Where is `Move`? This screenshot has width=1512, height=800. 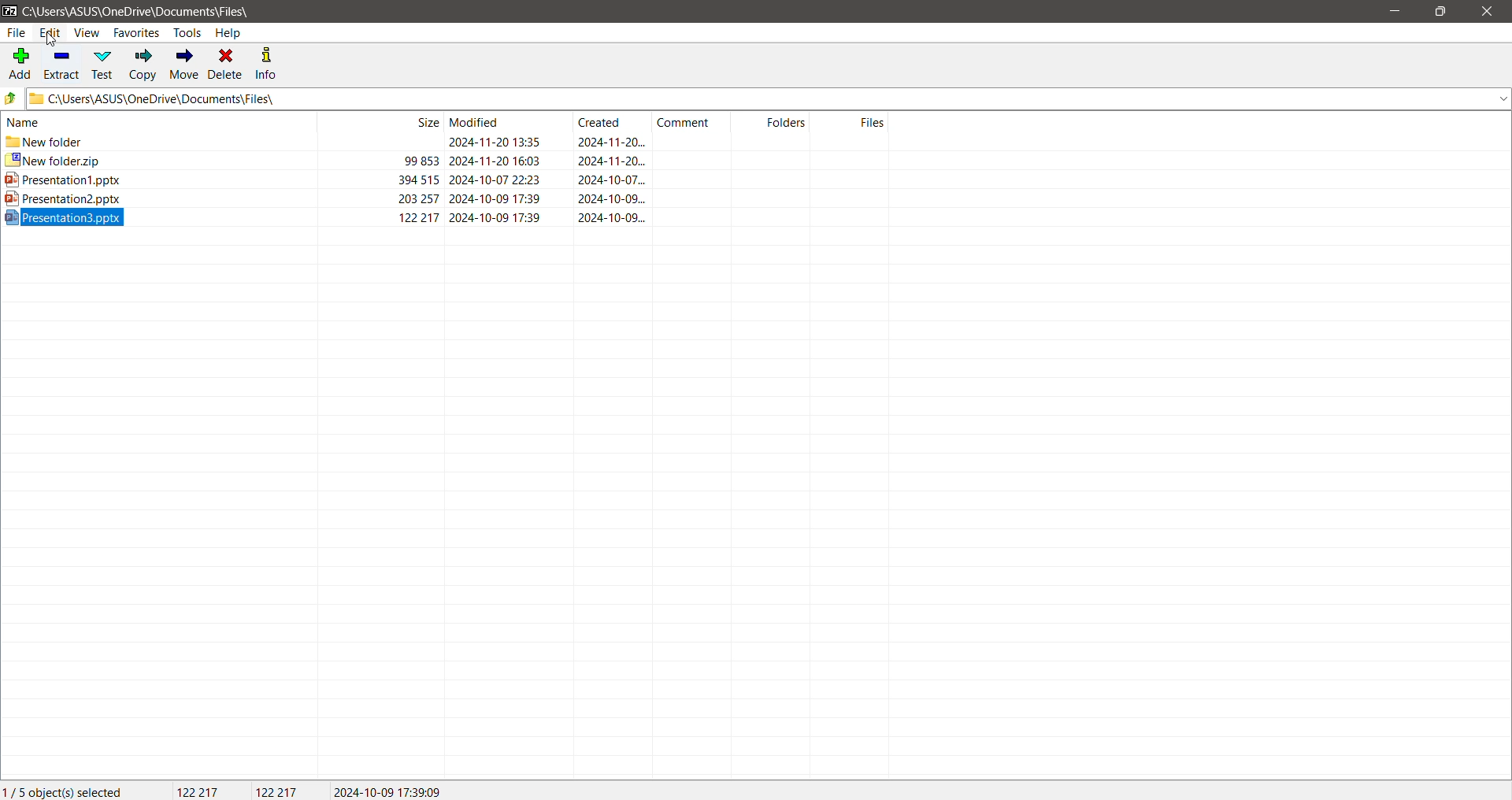
Move is located at coordinates (184, 65).